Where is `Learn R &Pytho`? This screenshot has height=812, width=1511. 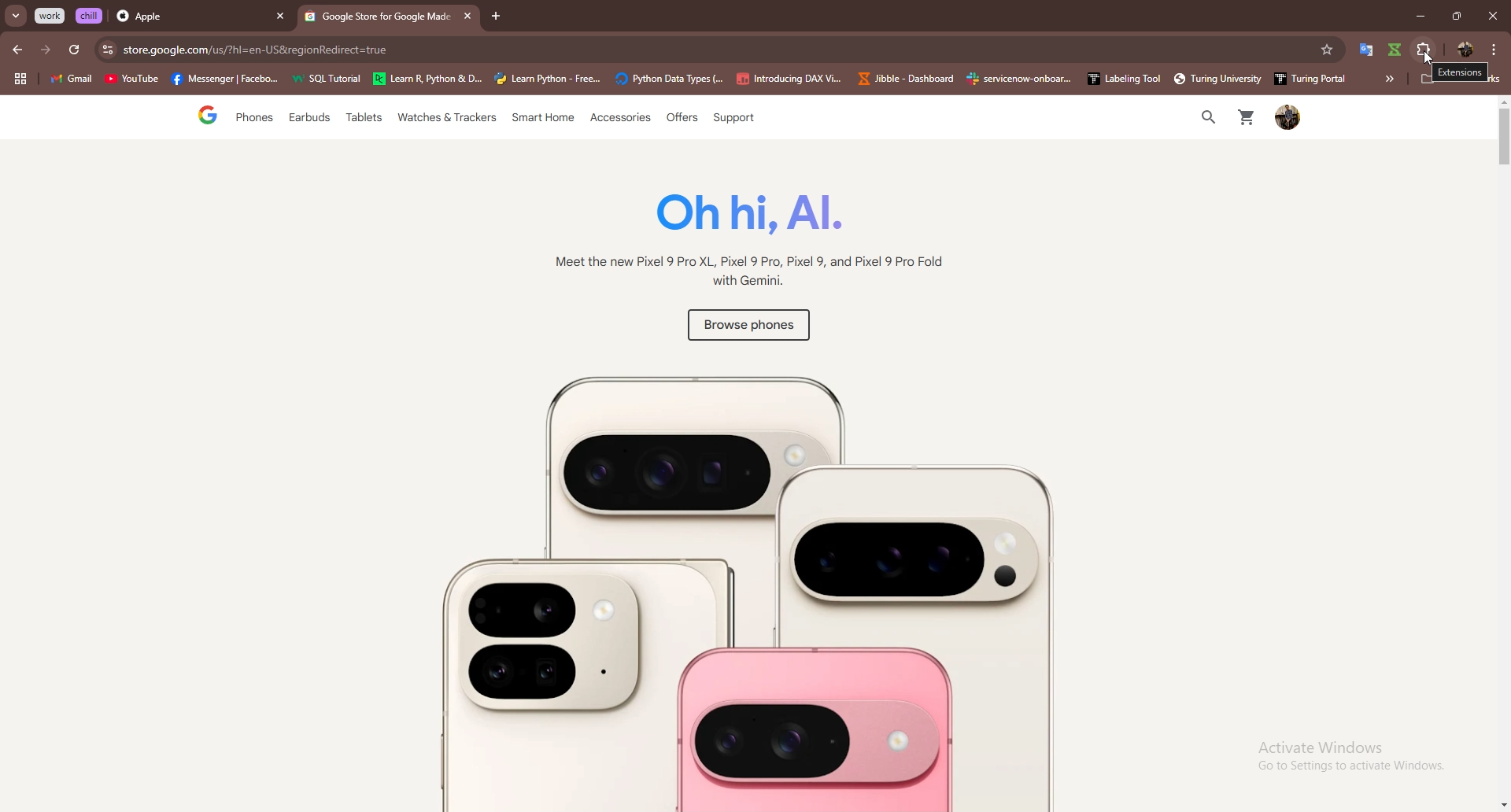
Learn R &Pytho is located at coordinates (428, 79).